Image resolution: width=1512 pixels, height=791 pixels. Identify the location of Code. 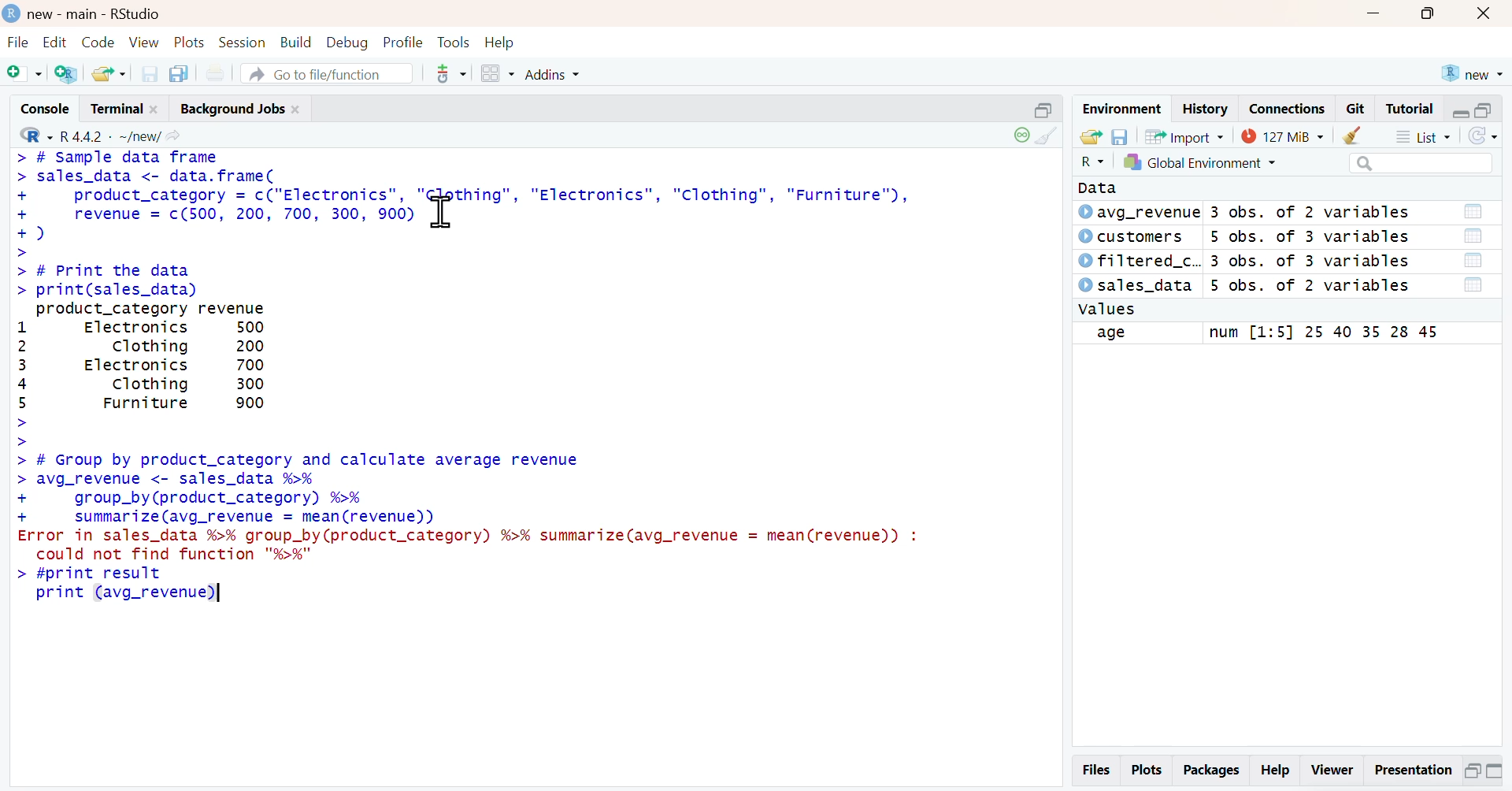
(98, 43).